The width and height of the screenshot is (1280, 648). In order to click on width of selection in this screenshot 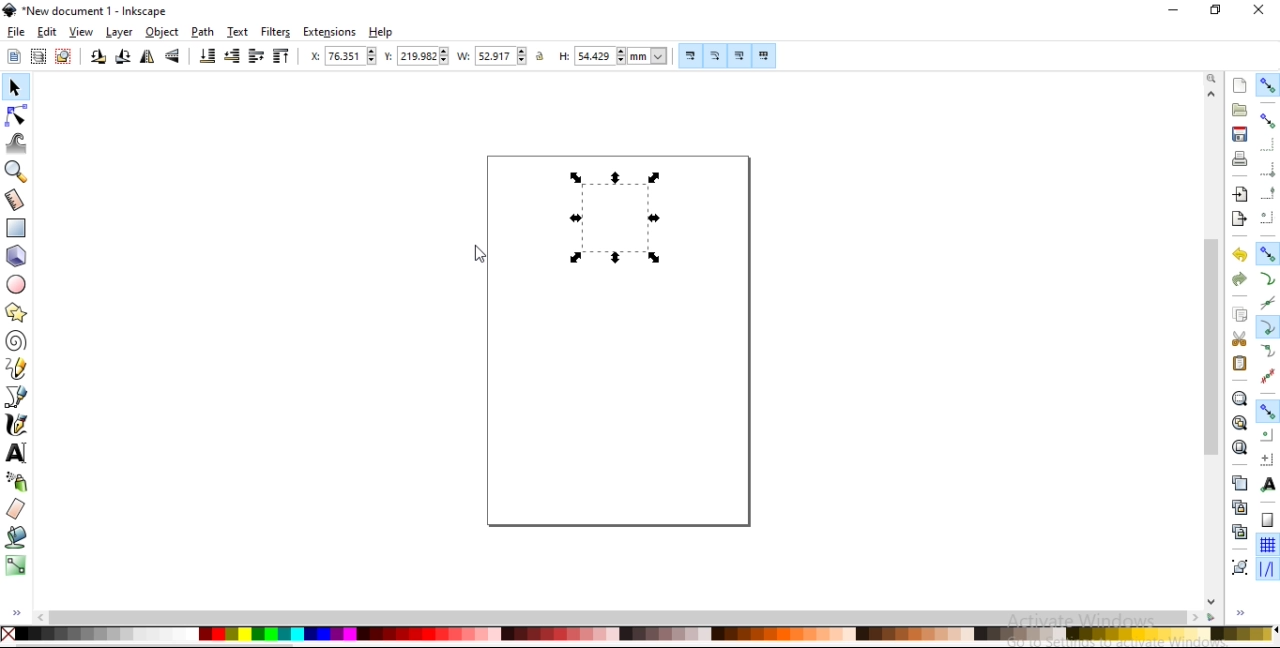, I will do `click(494, 56)`.